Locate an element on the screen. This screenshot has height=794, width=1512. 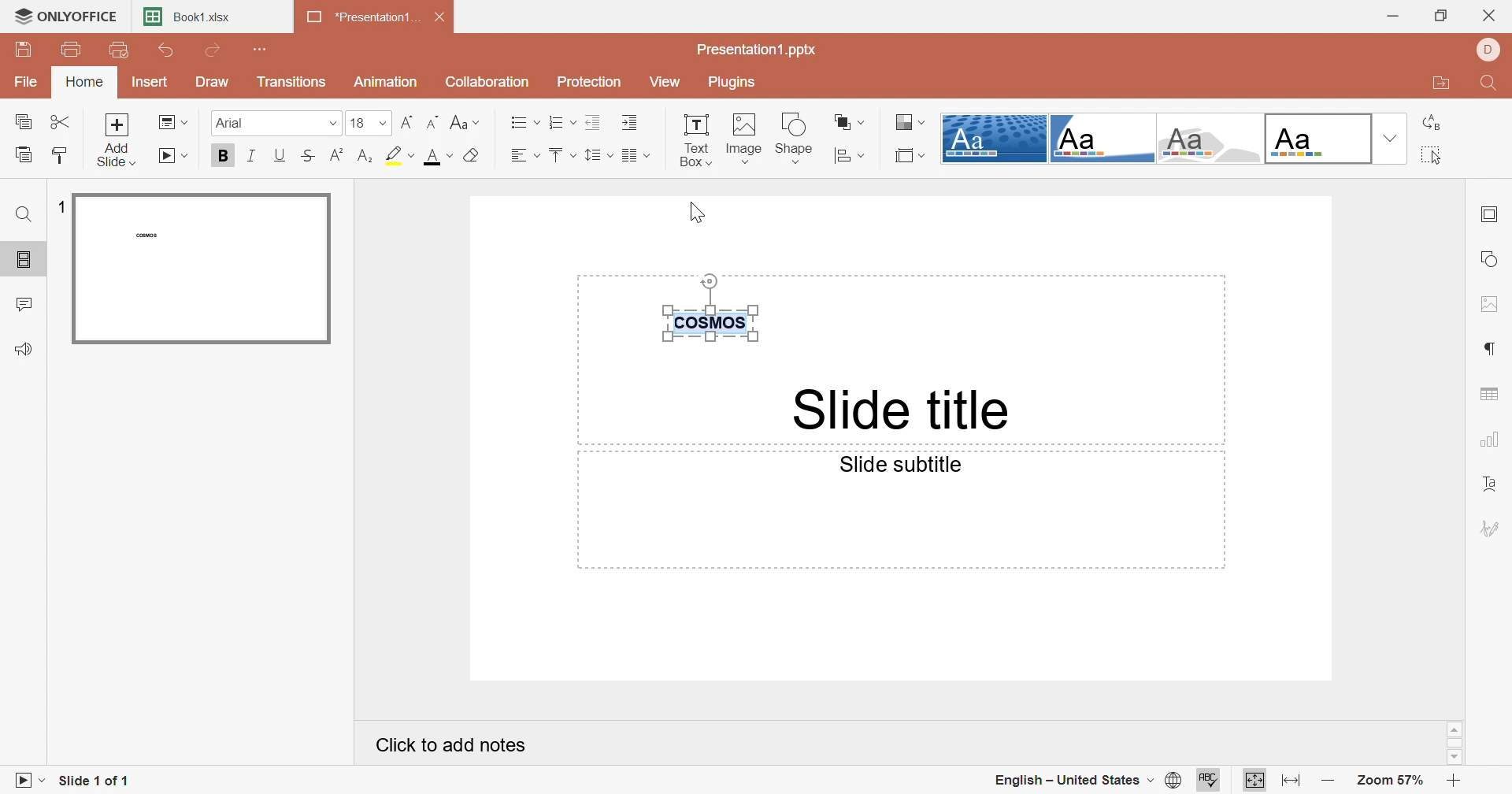
Decrease indent is located at coordinates (594, 123).